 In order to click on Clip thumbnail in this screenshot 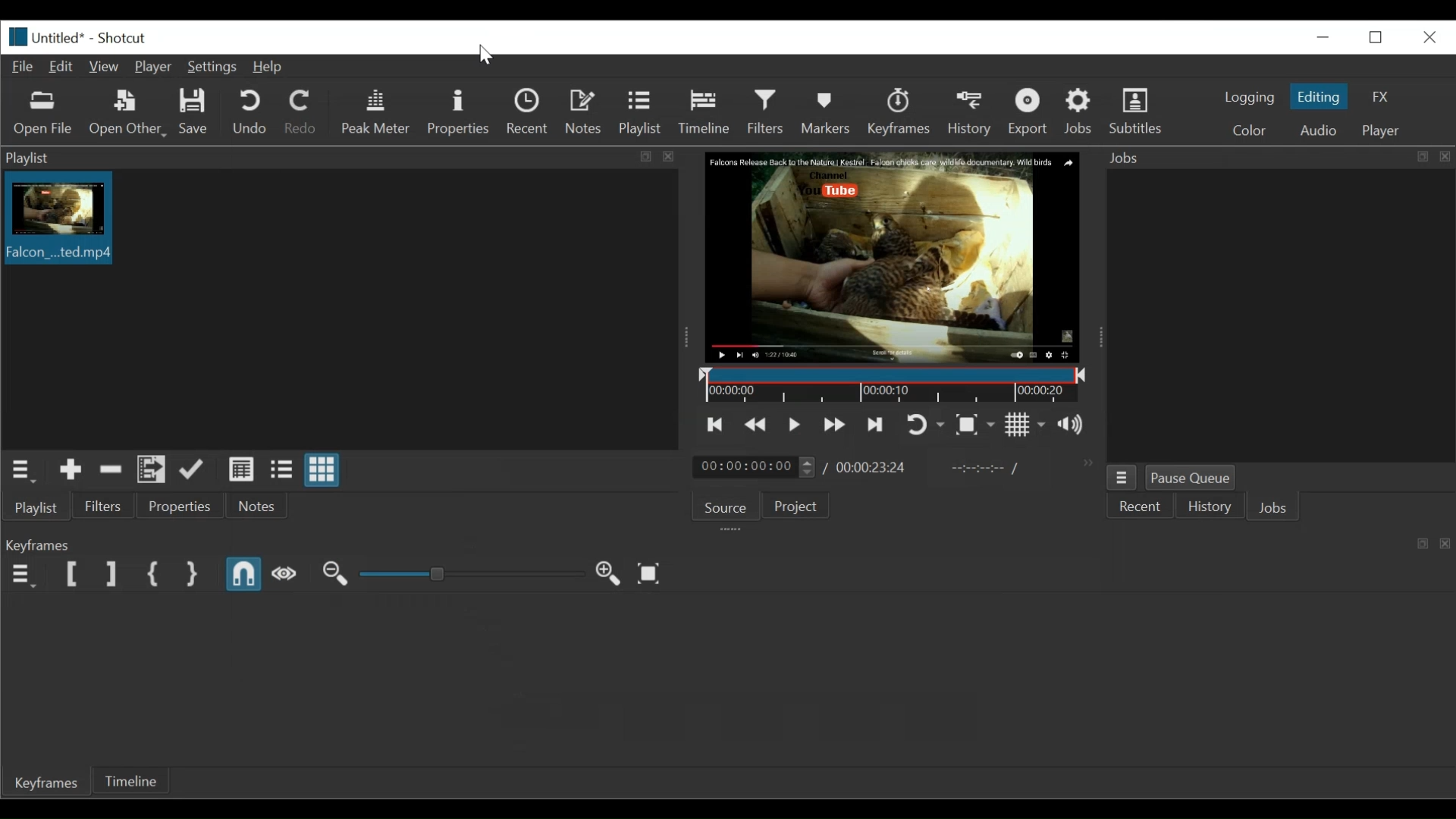, I will do `click(343, 311)`.